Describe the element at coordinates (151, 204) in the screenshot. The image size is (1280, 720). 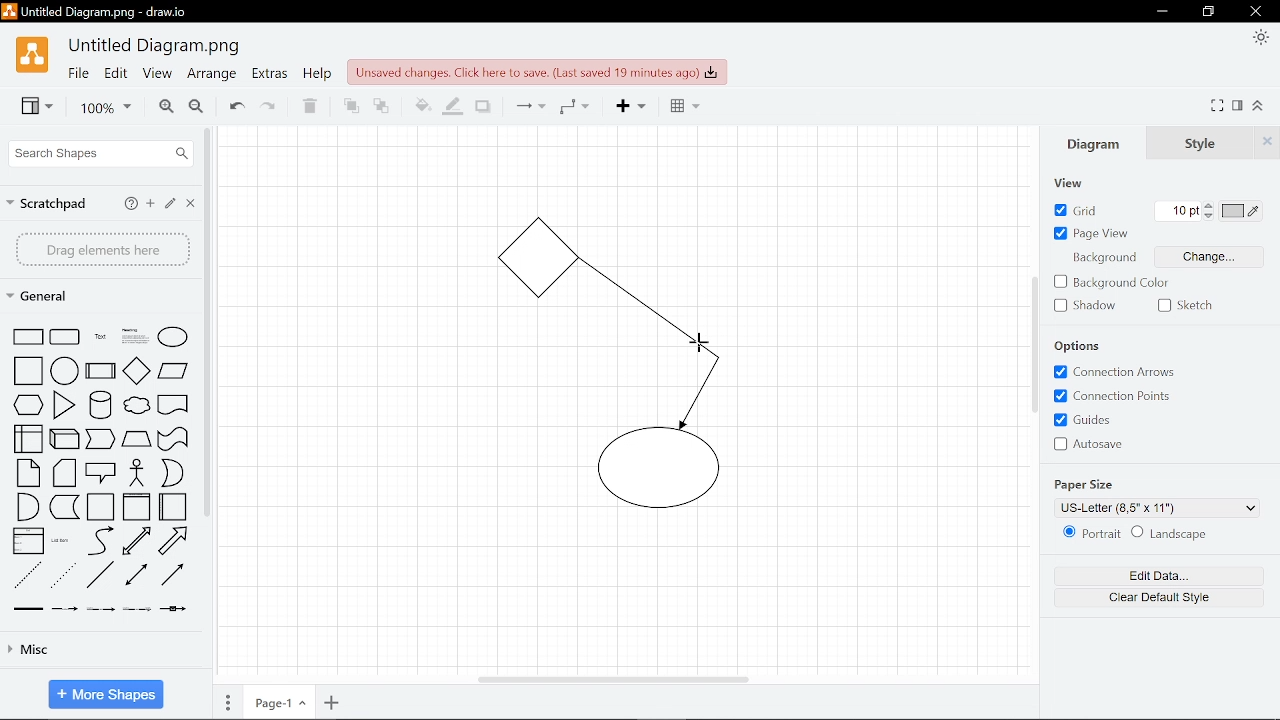
I see `Add scratchpad` at that location.